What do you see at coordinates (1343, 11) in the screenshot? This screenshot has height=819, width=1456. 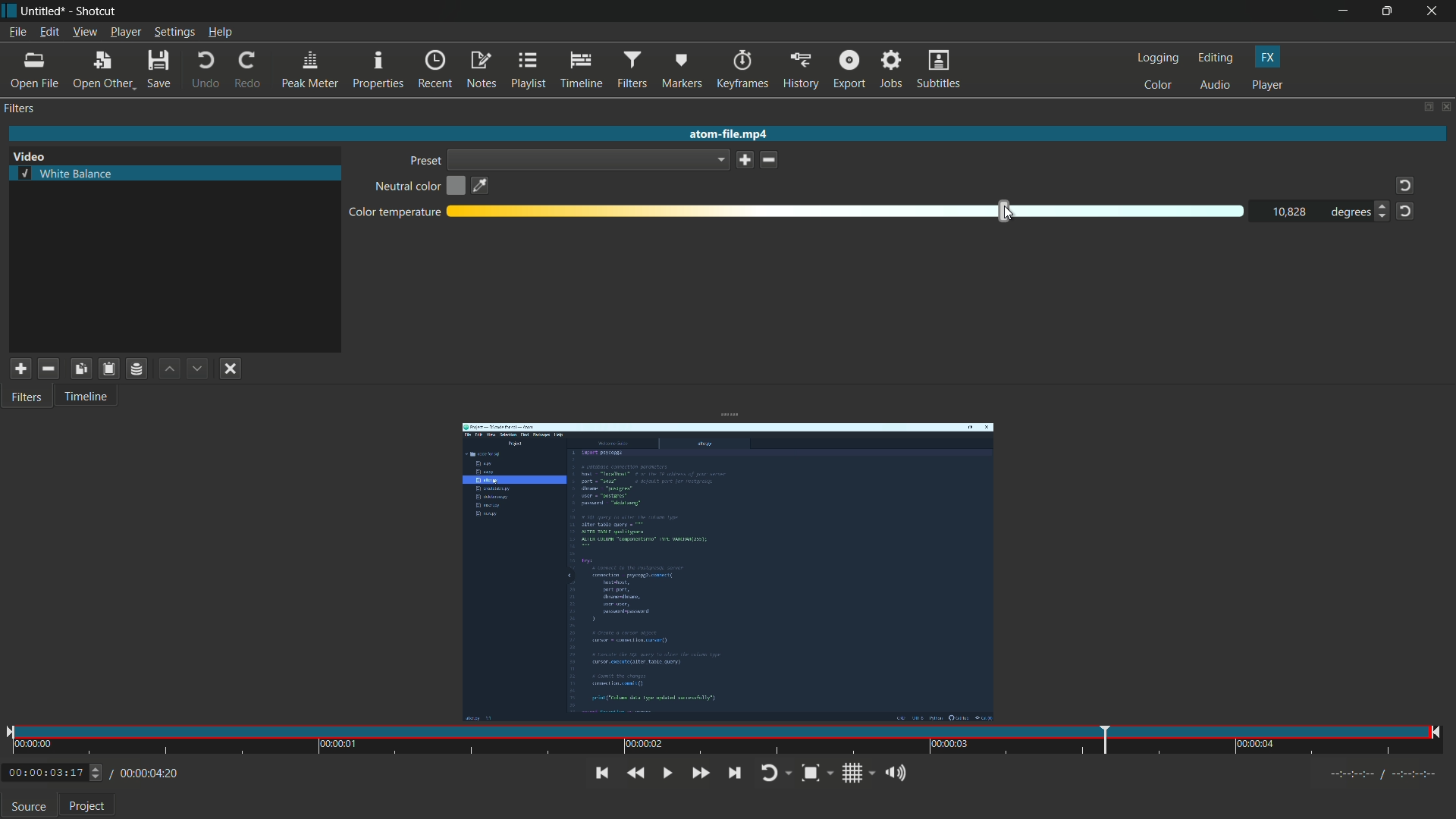 I see `minimize` at bounding box center [1343, 11].